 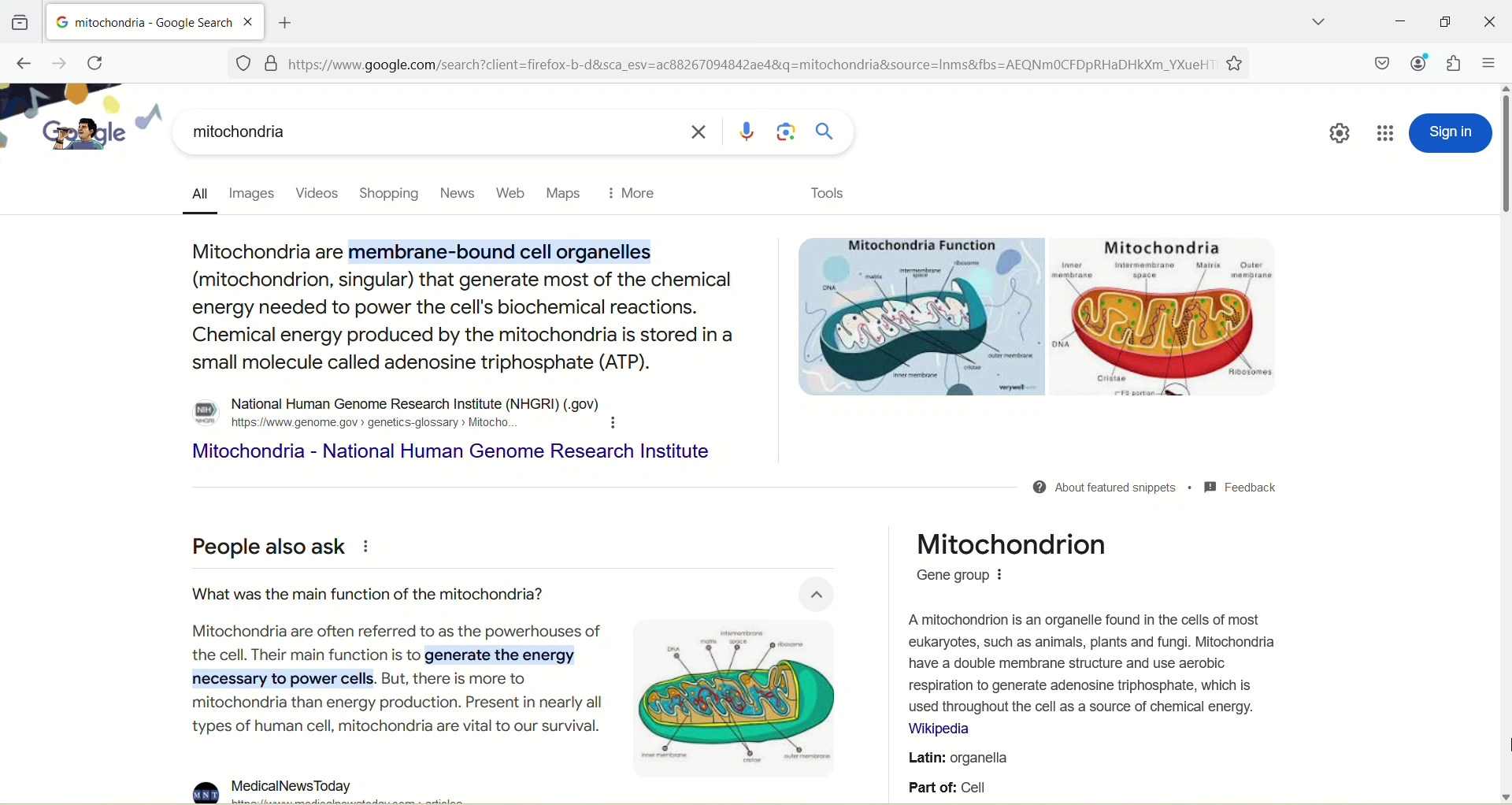 I want to click on reload current page, so click(x=95, y=63).